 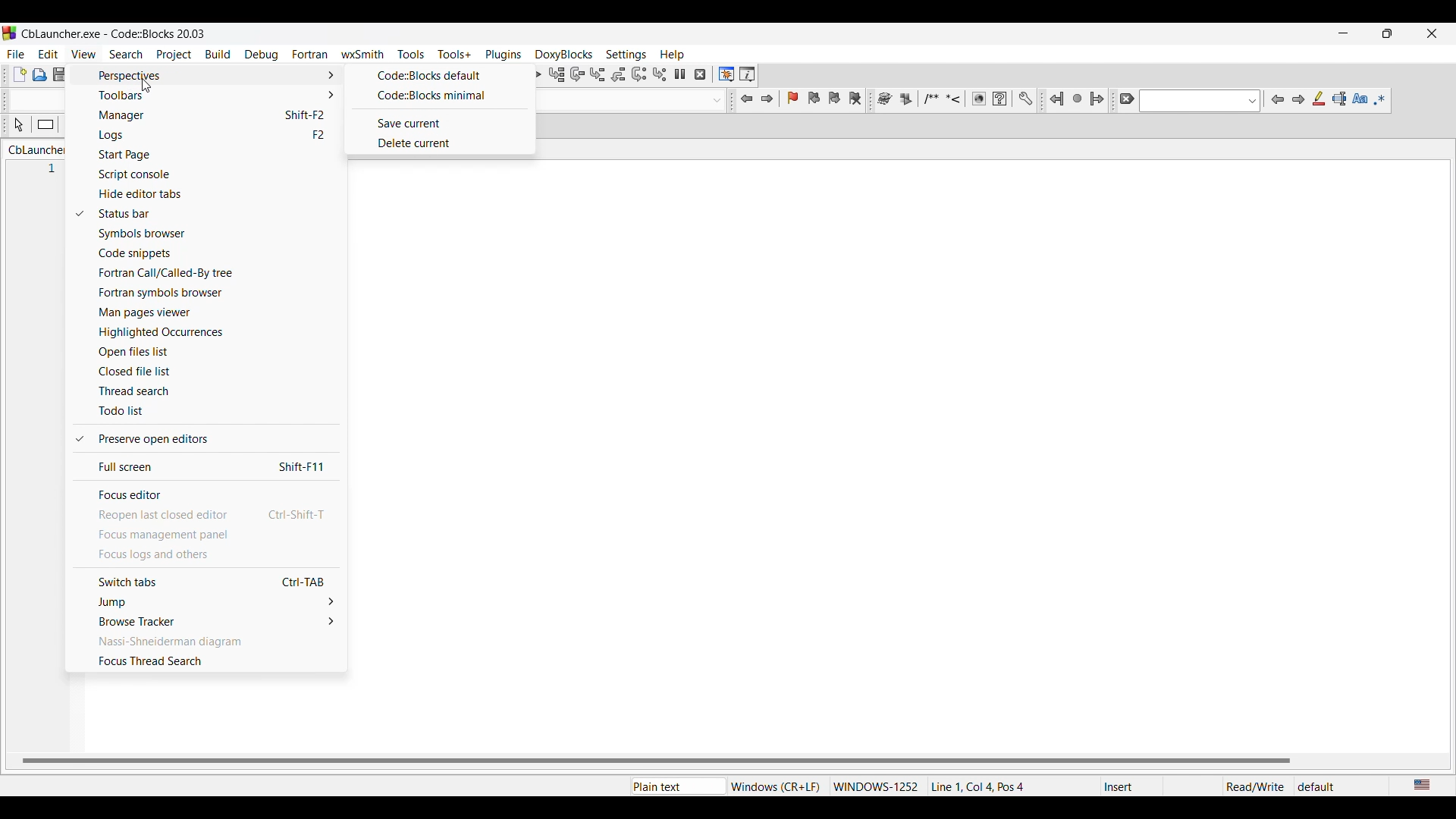 I want to click on Current tab, so click(x=39, y=149).